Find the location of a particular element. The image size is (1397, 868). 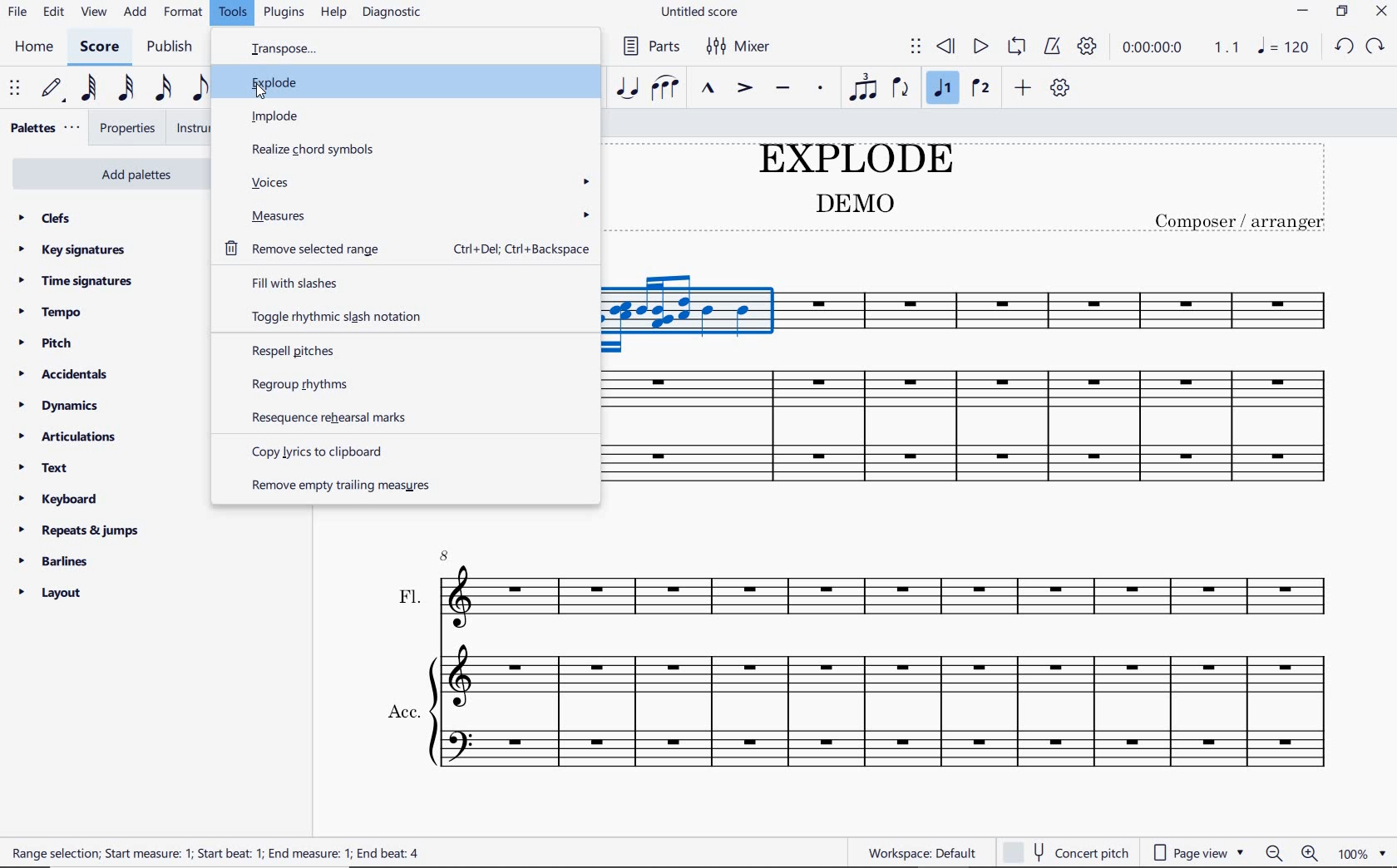

default (step time) is located at coordinates (53, 90).